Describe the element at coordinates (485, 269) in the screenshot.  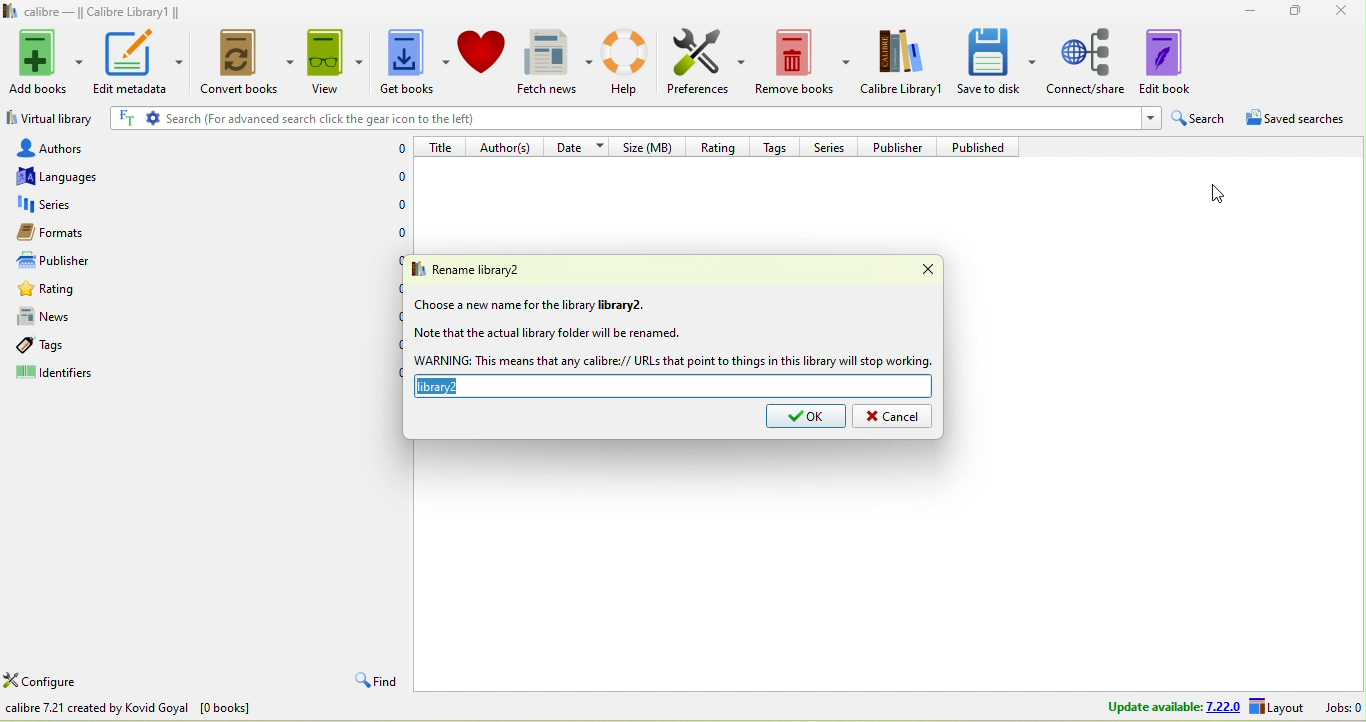
I see `rename library 2` at that location.